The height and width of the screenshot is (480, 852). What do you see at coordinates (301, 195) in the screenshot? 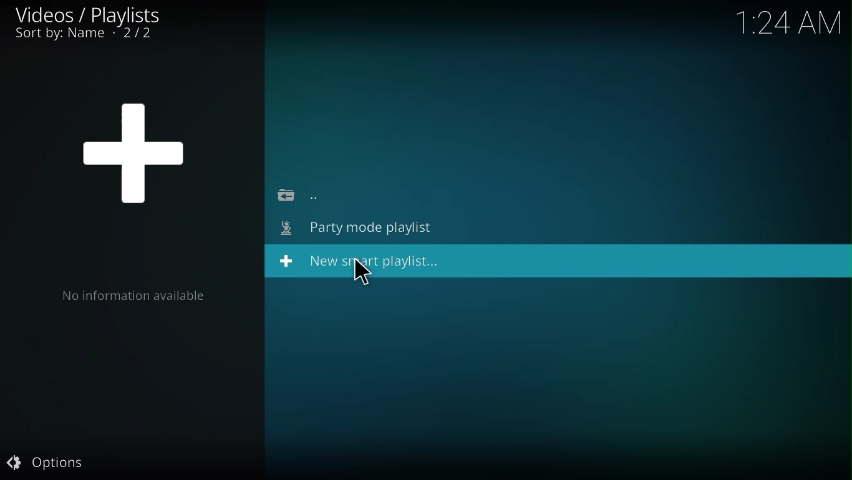
I see `back` at bounding box center [301, 195].